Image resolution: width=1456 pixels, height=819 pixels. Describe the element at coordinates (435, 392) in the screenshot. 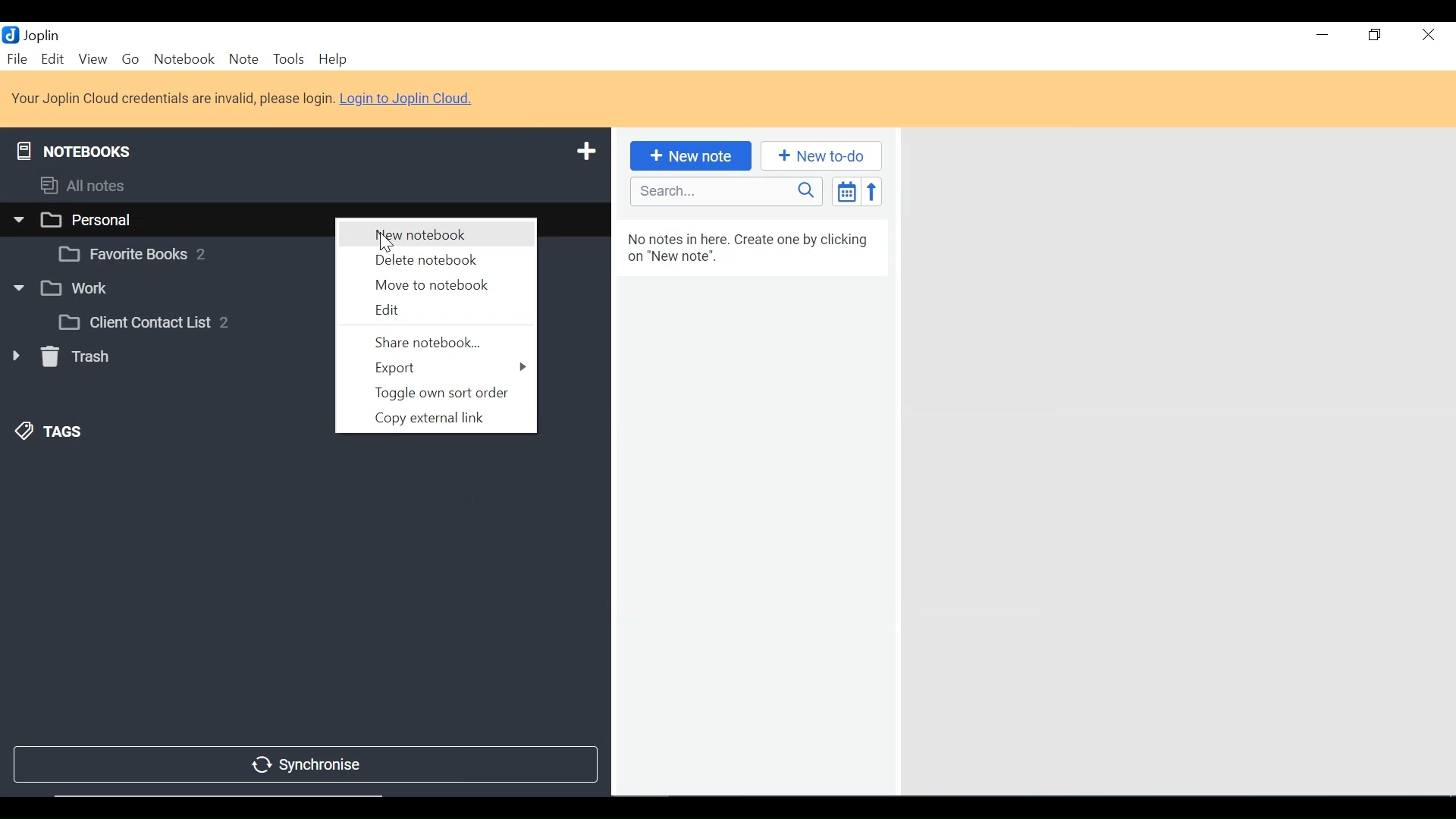

I see `Toggle own sort orde` at that location.